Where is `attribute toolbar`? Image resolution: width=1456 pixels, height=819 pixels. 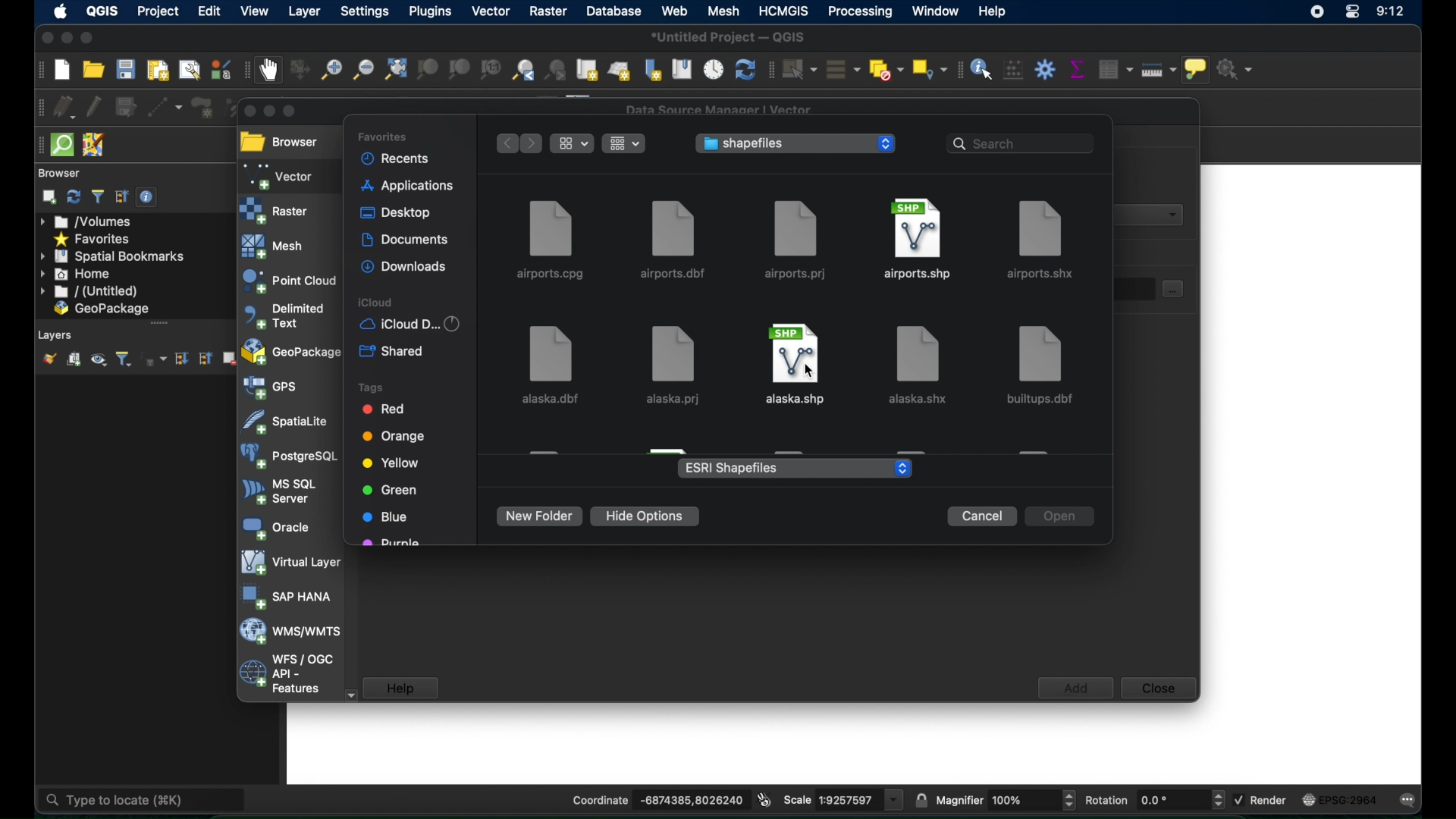
attribute toolbar is located at coordinates (958, 71).